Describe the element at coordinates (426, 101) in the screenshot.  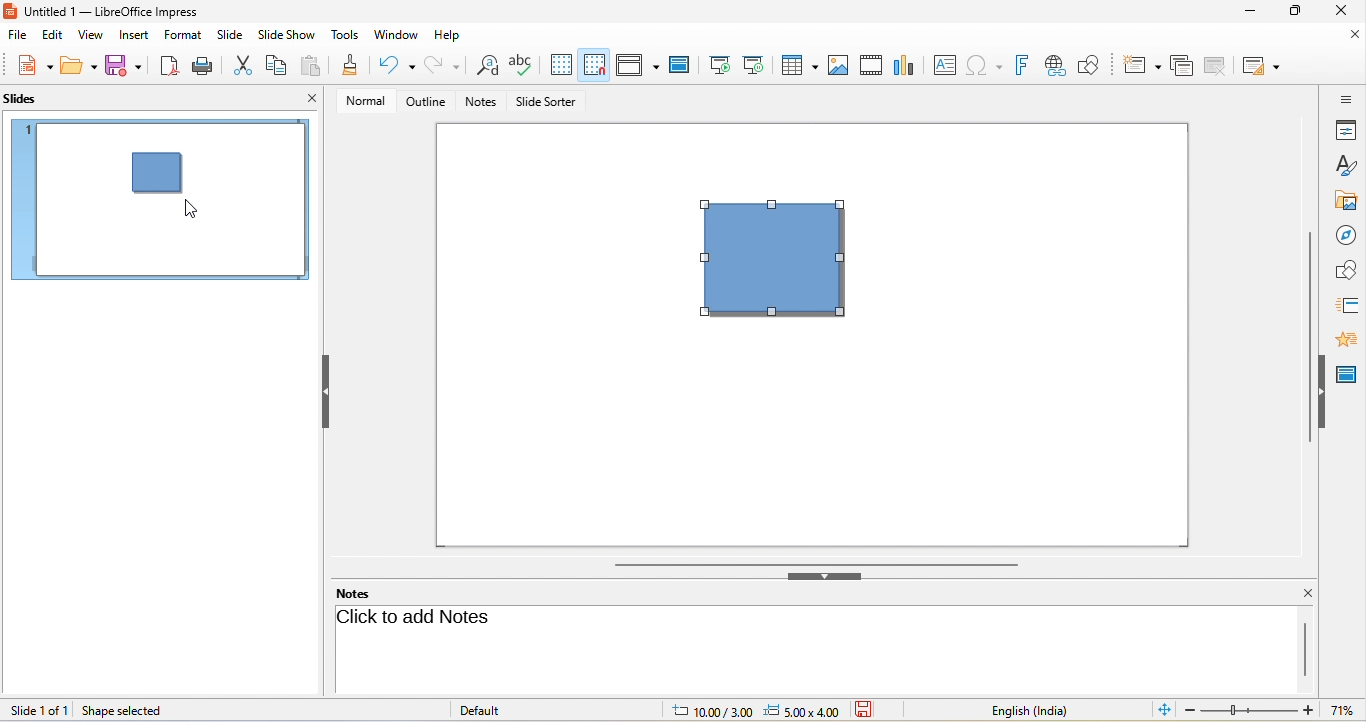
I see `outline` at that location.